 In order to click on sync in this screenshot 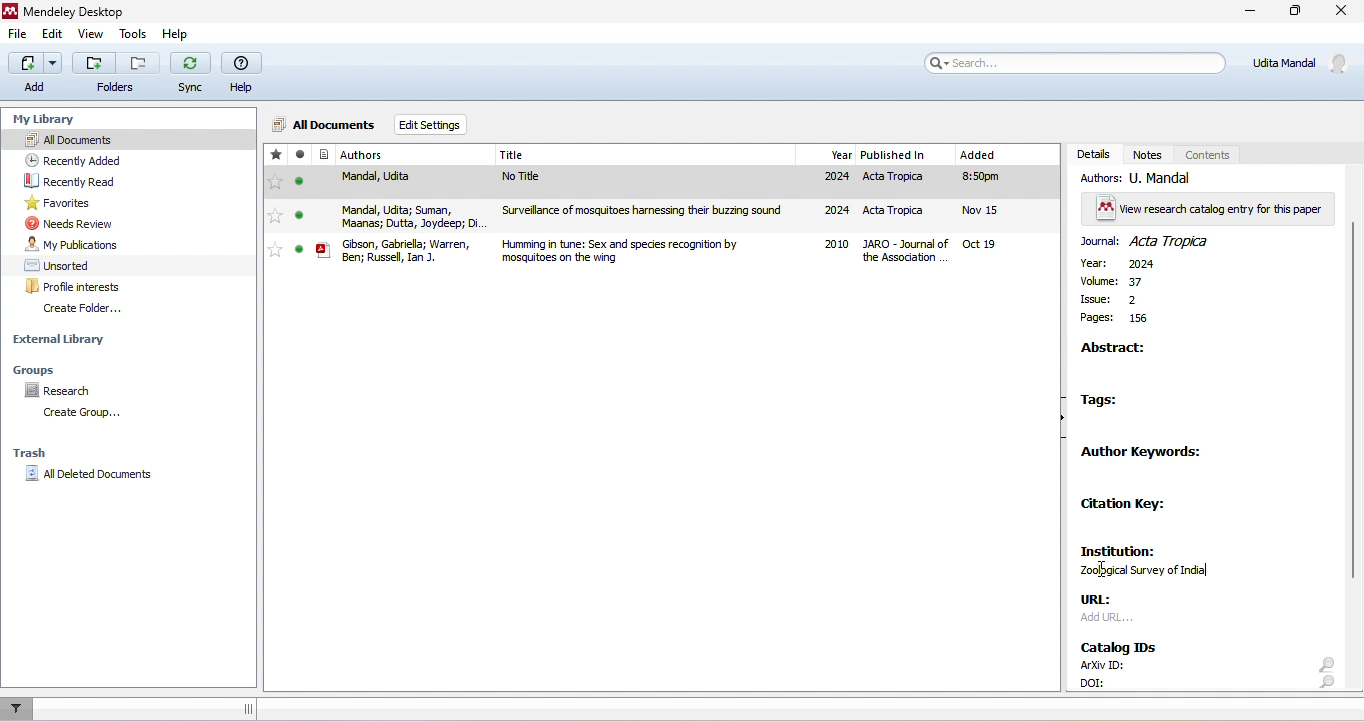, I will do `click(191, 74)`.